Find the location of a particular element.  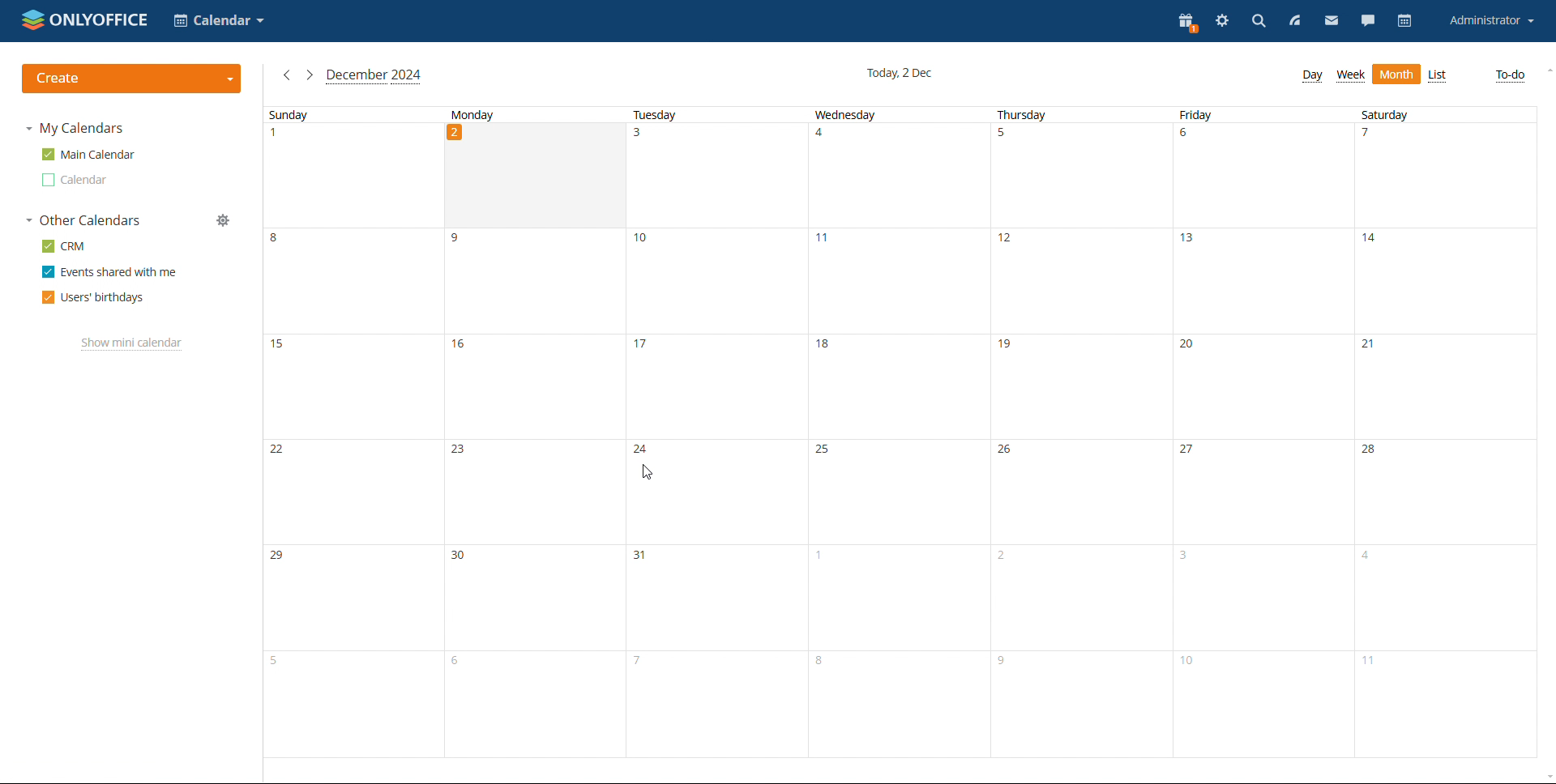

manage is located at coordinates (223, 220).